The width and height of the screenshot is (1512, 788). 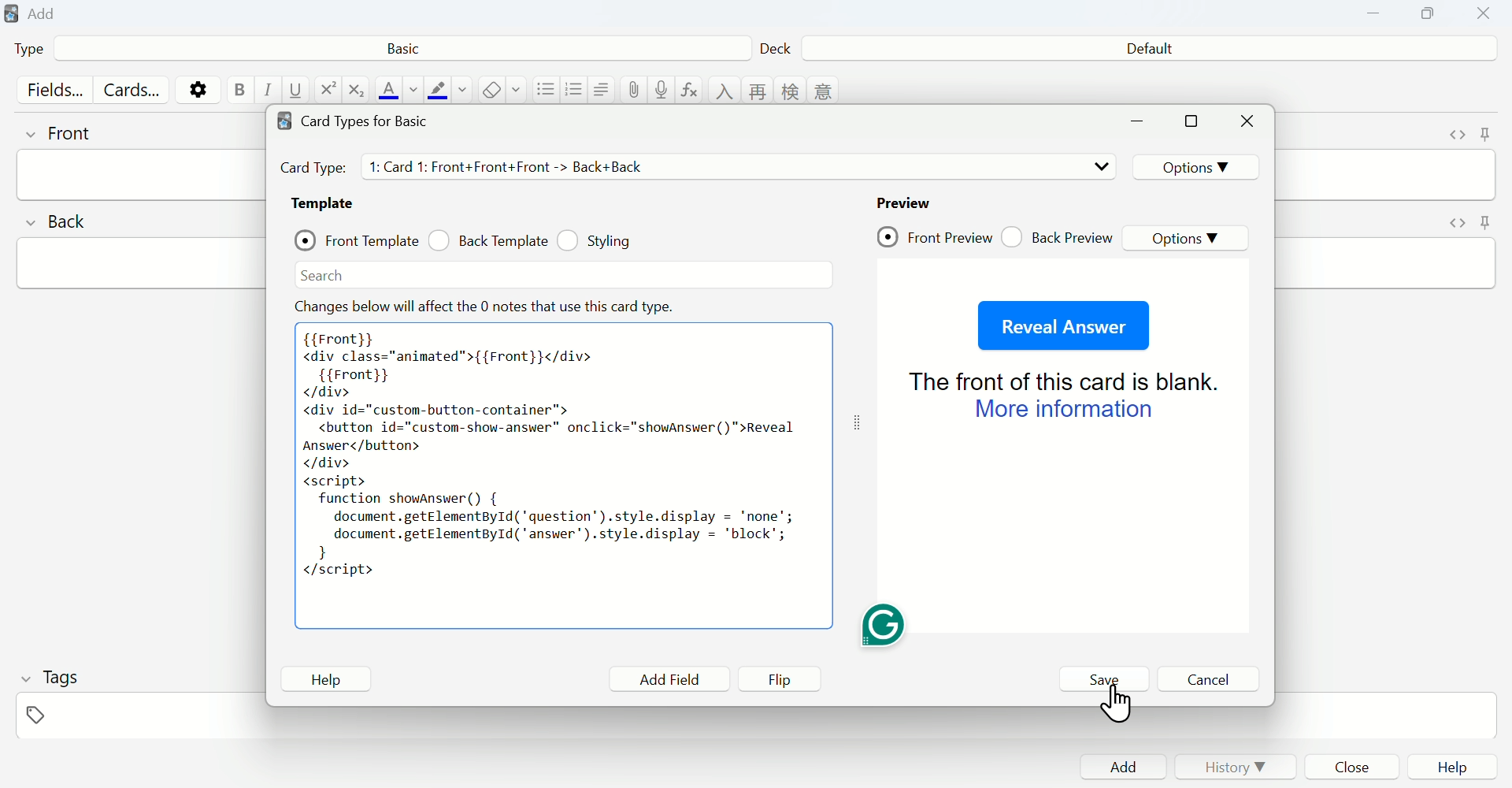 What do you see at coordinates (882, 626) in the screenshot?
I see `Grammarly extension` at bounding box center [882, 626].